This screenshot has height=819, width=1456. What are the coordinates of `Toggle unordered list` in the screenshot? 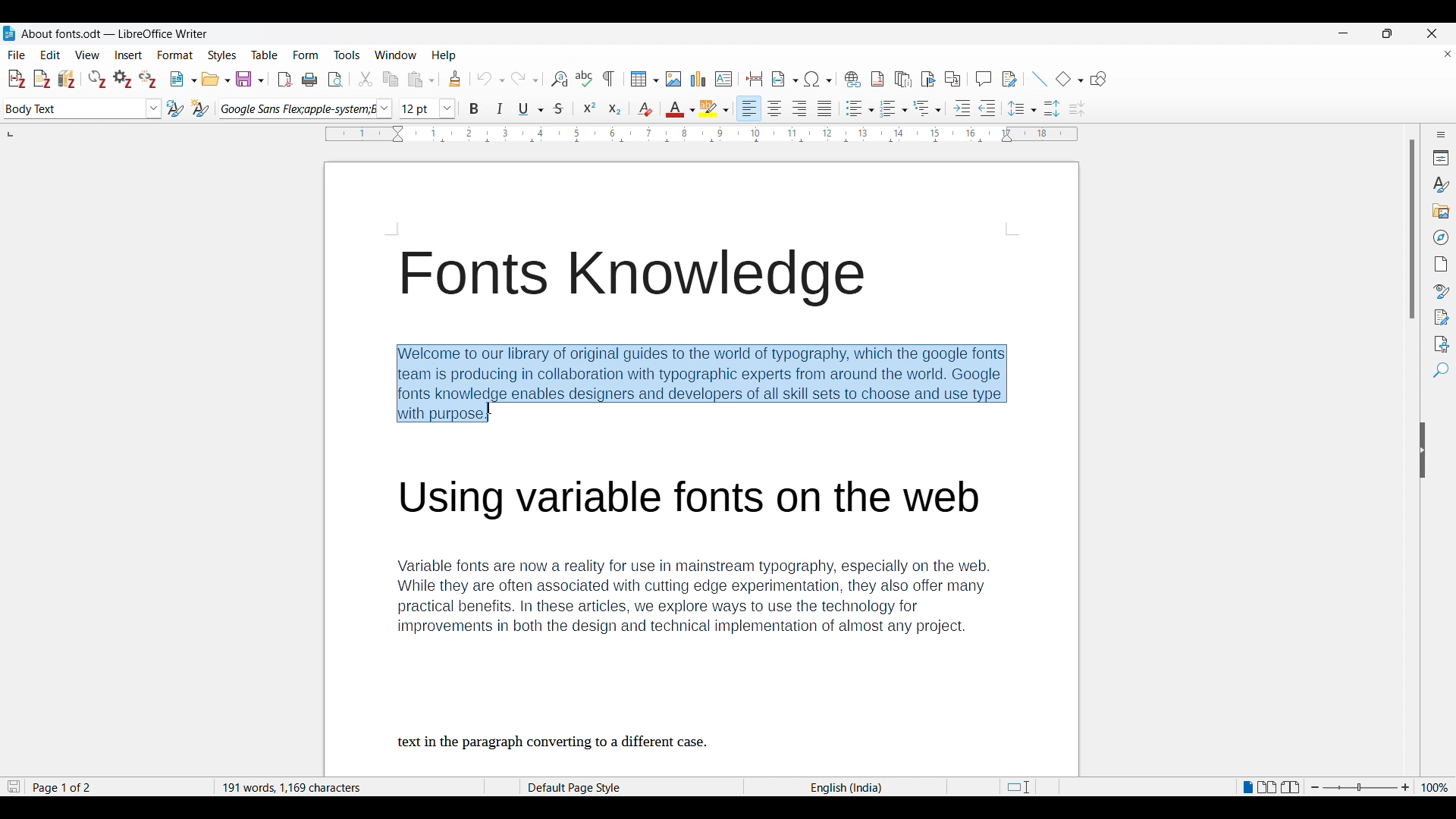 It's located at (860, 108).